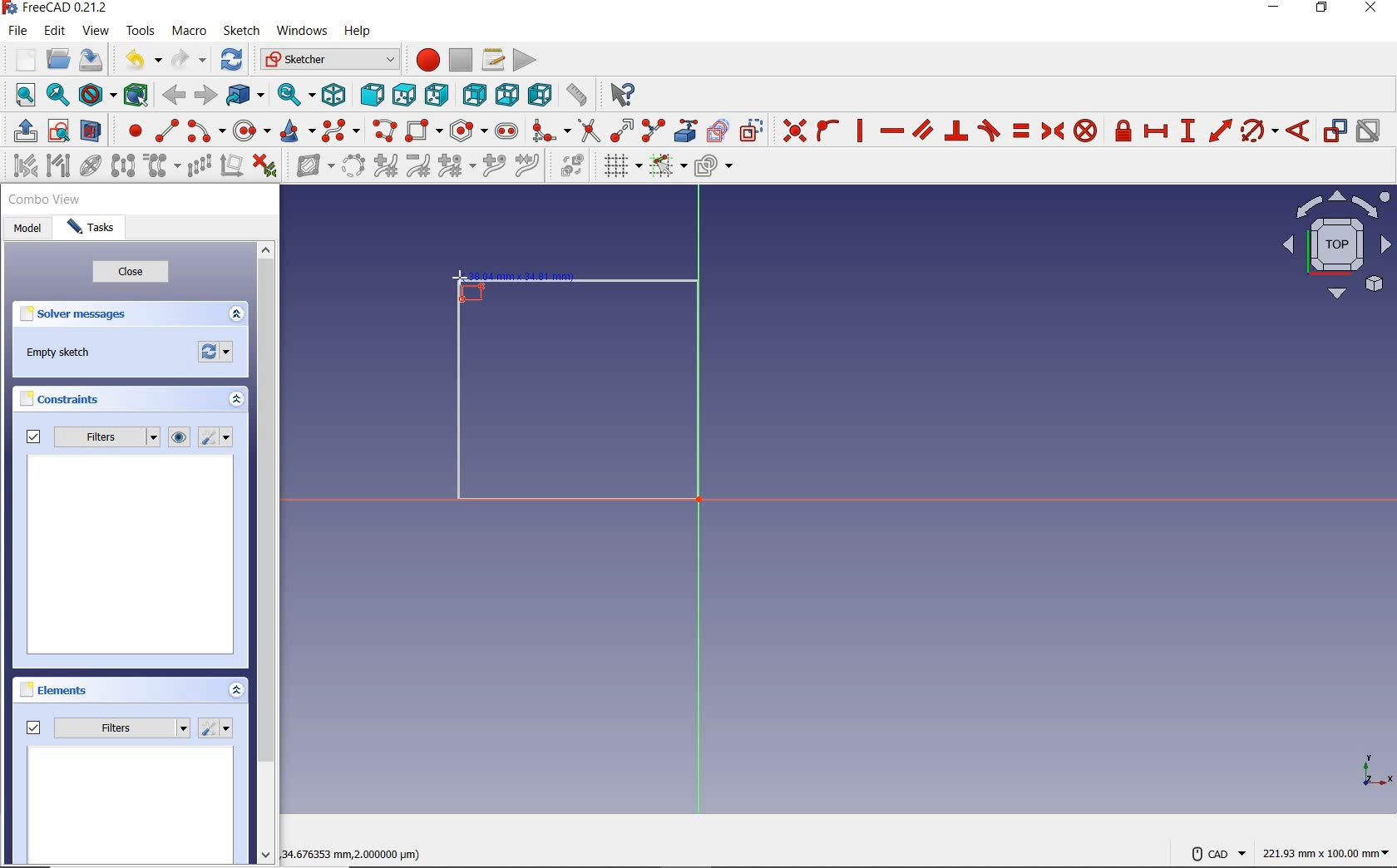 The height and width of the screenshot is (868, 1397). I want to click on create point, so click(132, 131).